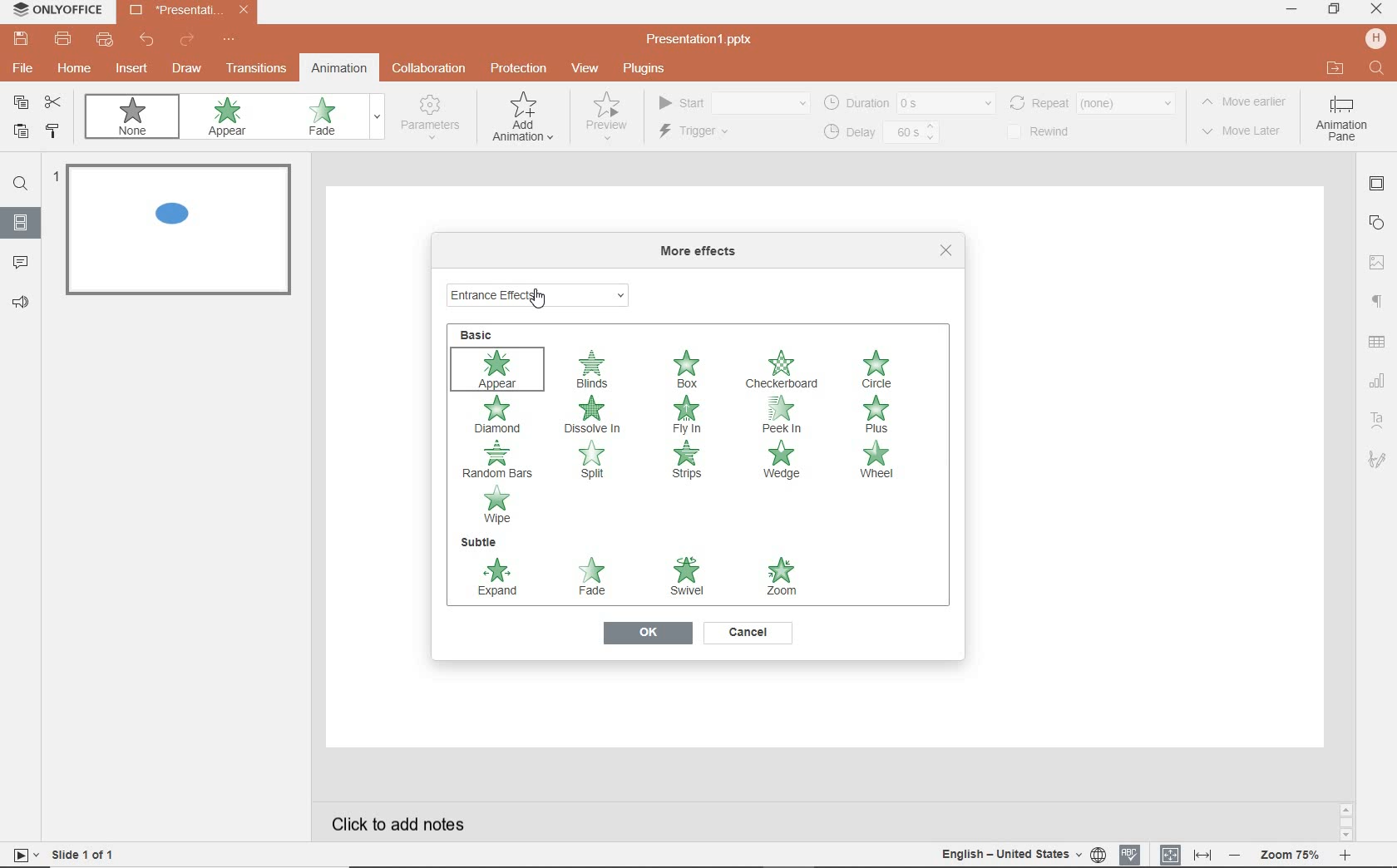 The image size is (1397, 868). I want to click on redo, so click(186, 41).